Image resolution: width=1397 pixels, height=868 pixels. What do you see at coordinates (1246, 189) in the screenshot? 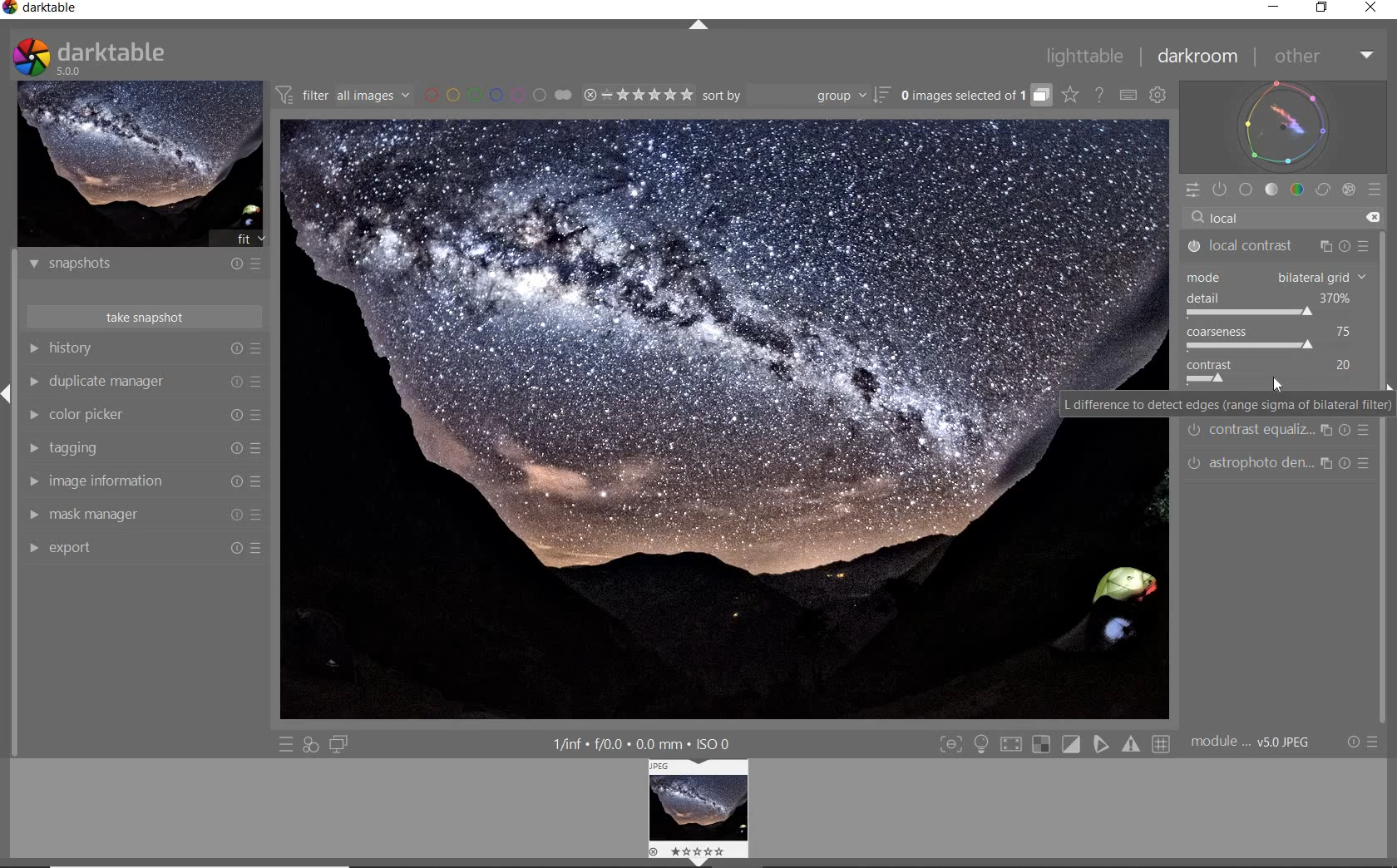
I see `BASE` at bounding box center [1246, 189].